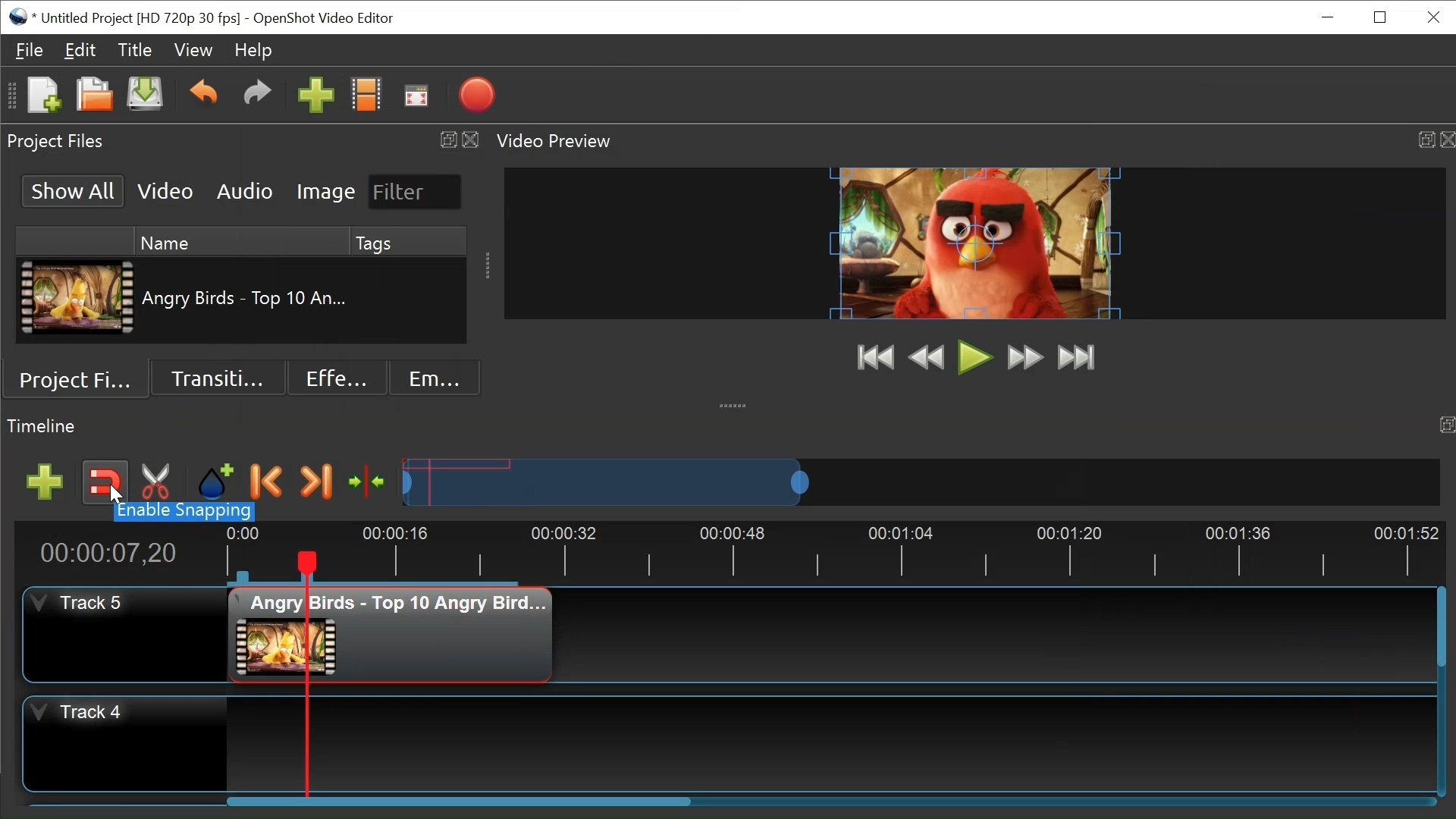 This screenshot has width=1456, height=819. Describe the element at coordinates (45, 484) in the screenshot. I see `Add Track` at that location.